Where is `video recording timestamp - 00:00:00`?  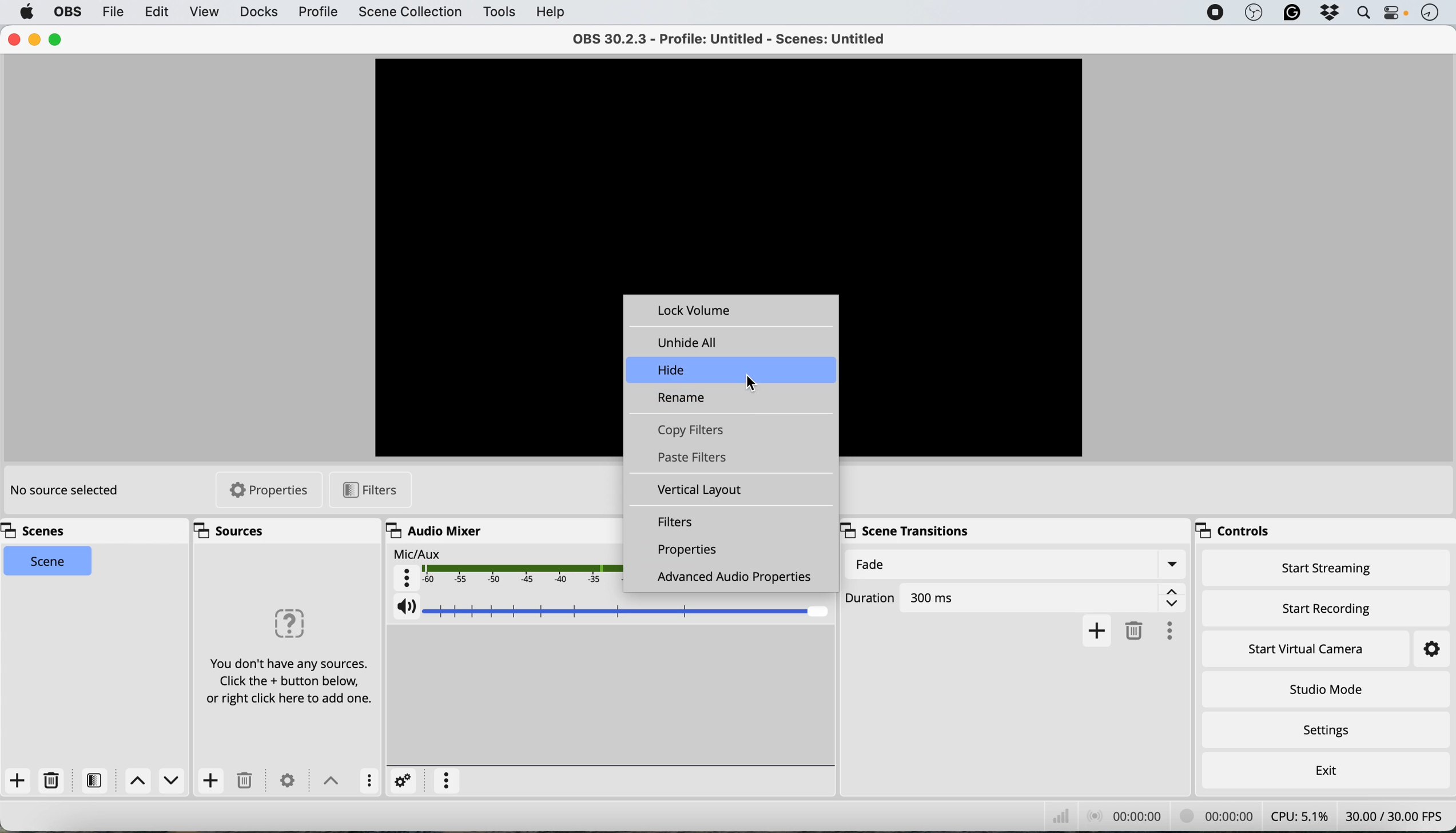
video recording timestamp - 00:00:00 is located at coordinates (1219, 816).